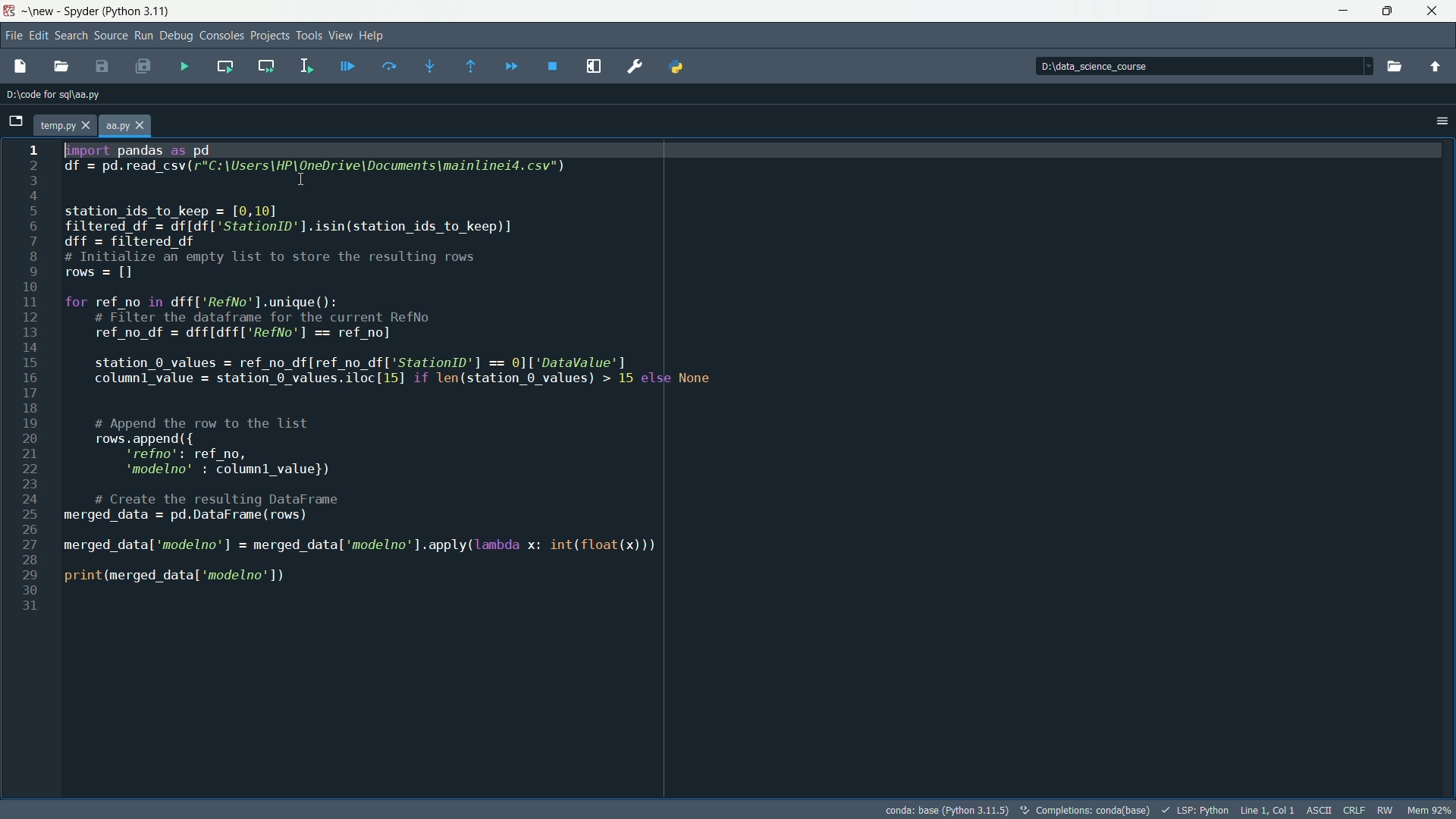 This screenshot has width=1456, height=819. Describe the element at coordinates (55, 96) in the screenshot. I see `directory` at that location.